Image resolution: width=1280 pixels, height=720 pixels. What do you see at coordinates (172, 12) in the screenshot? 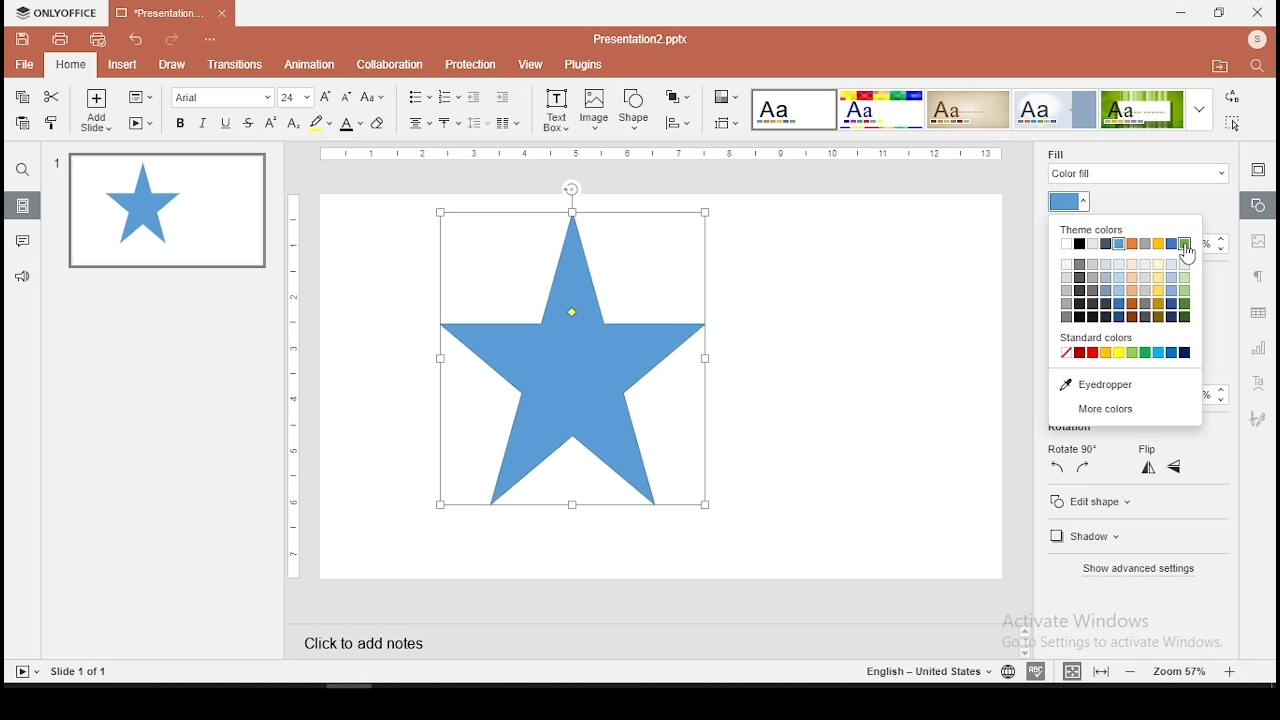
I see `presentation` at bounding box center [172, 12].